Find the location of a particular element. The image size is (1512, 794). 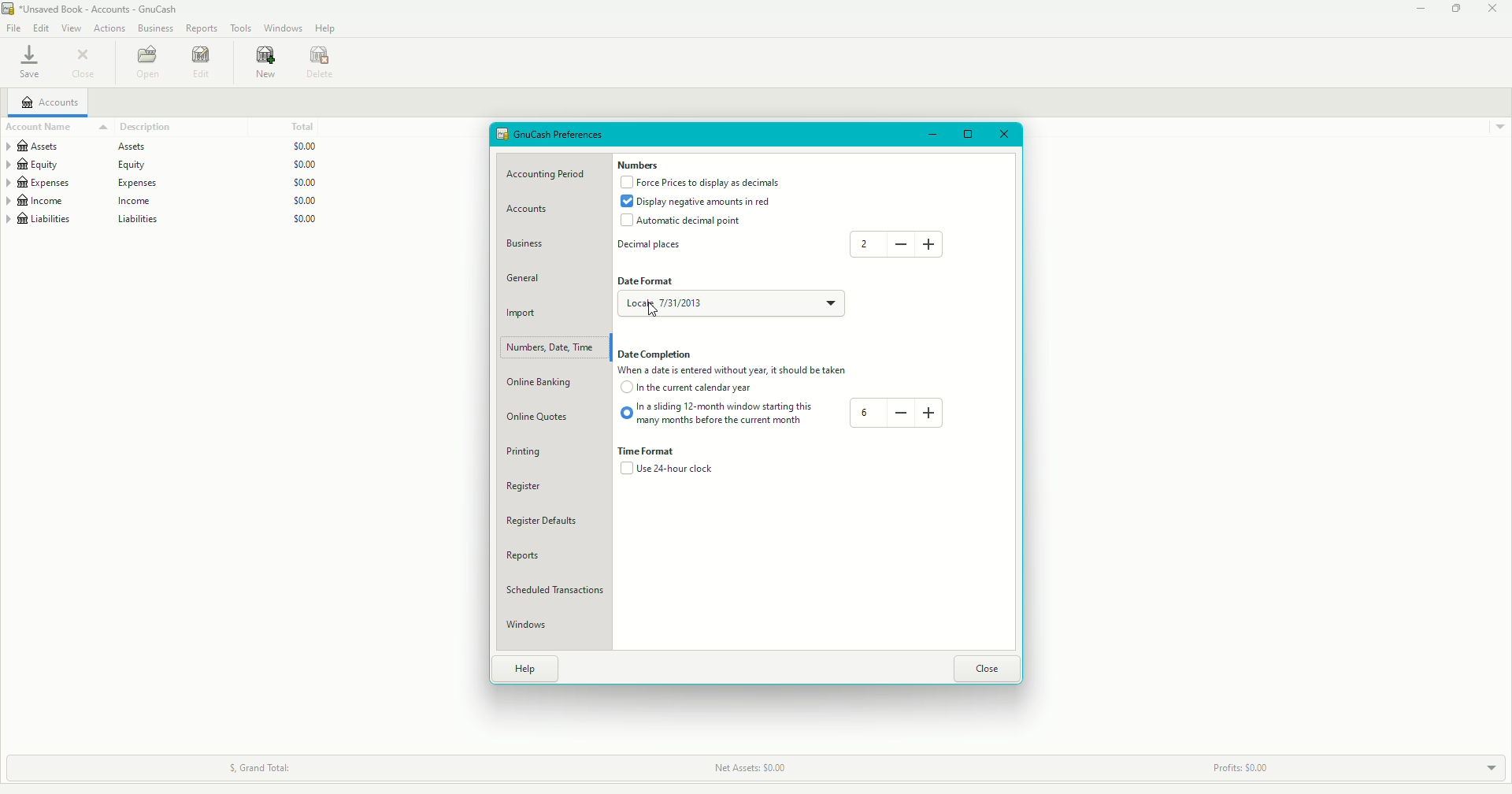

cursor is located at coordinates (652, 309).